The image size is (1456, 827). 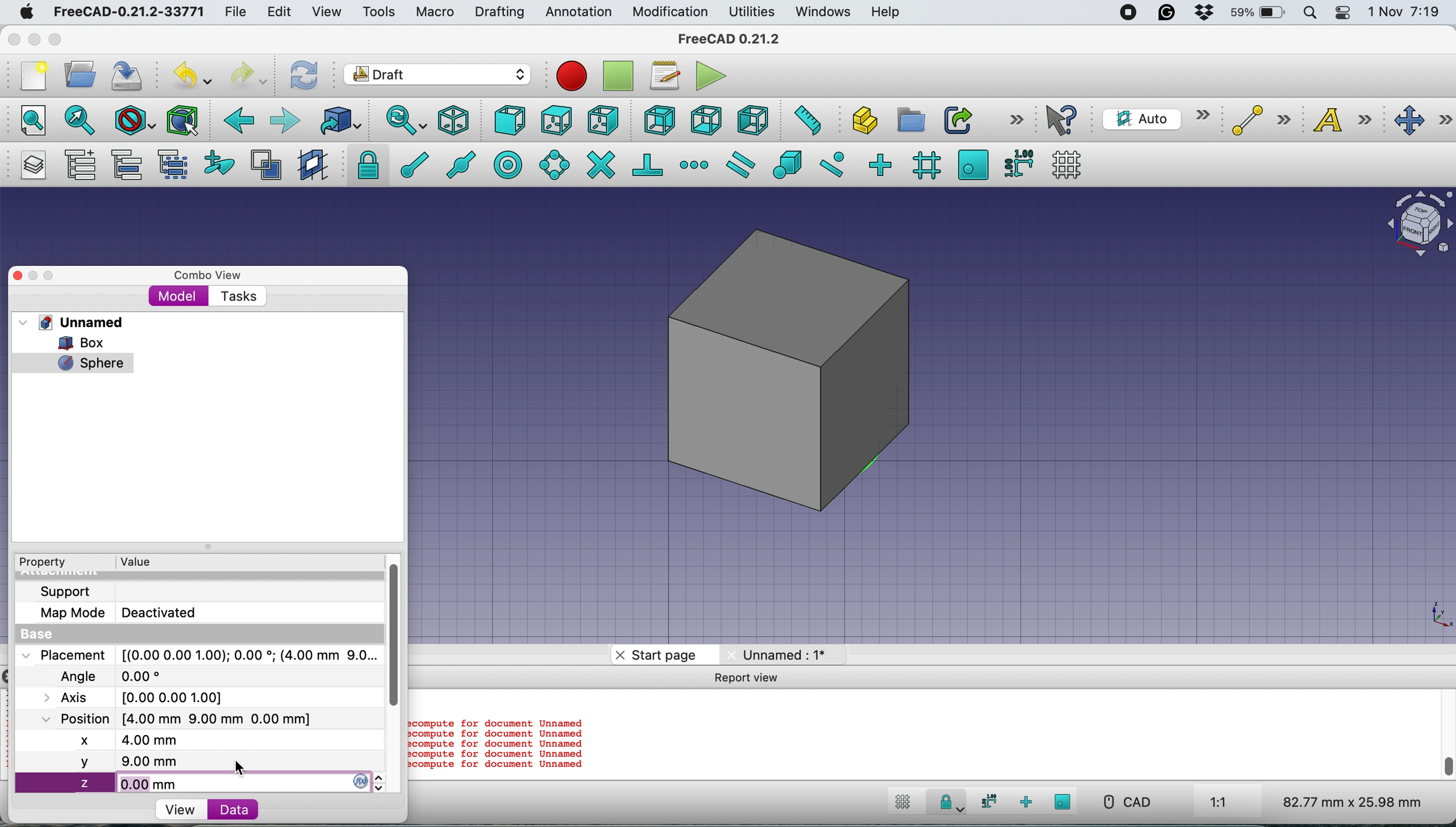 I want to click on snap angel, so click(x=551, y=164).